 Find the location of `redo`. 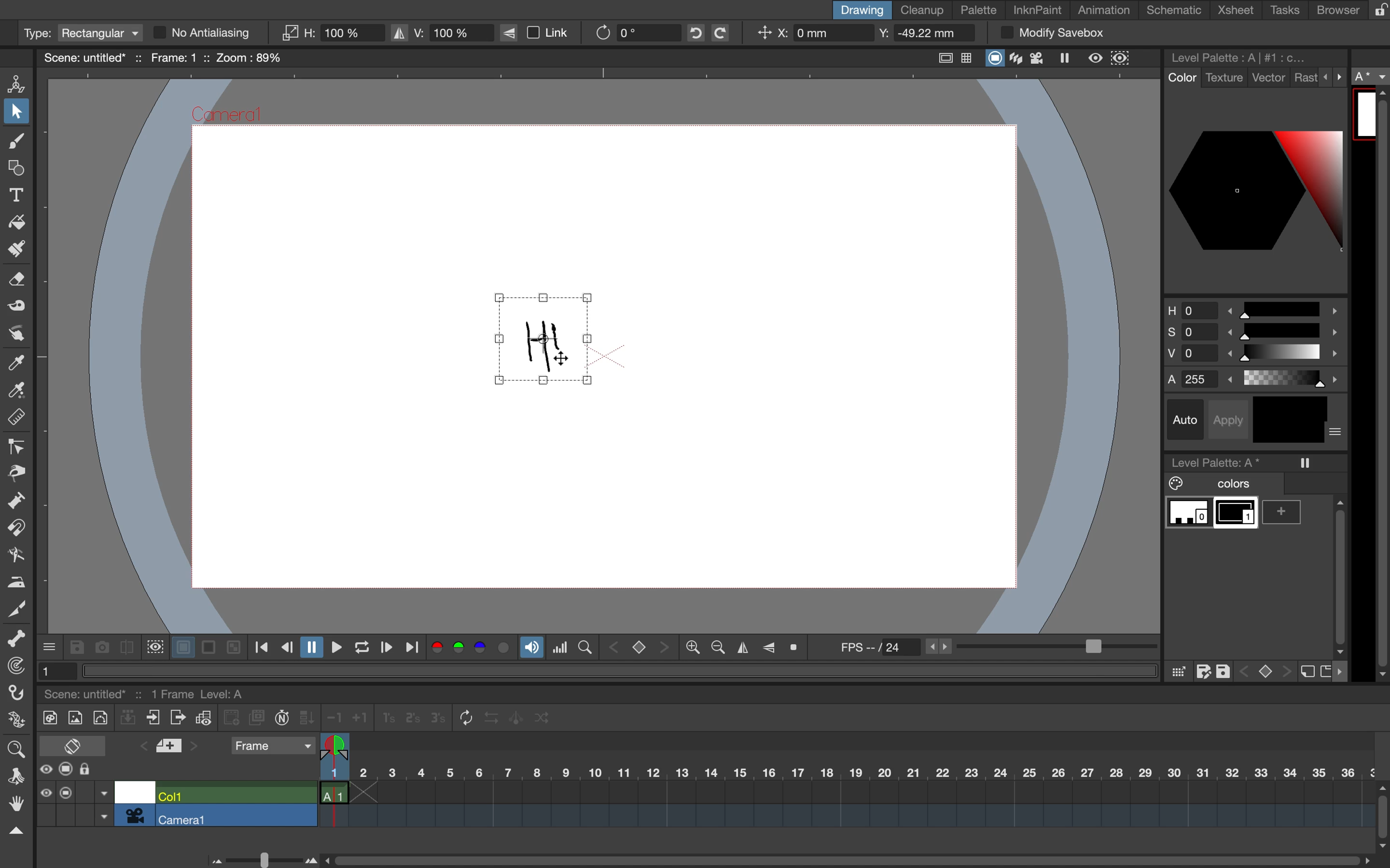

redo is located at coordinates (729, 33).